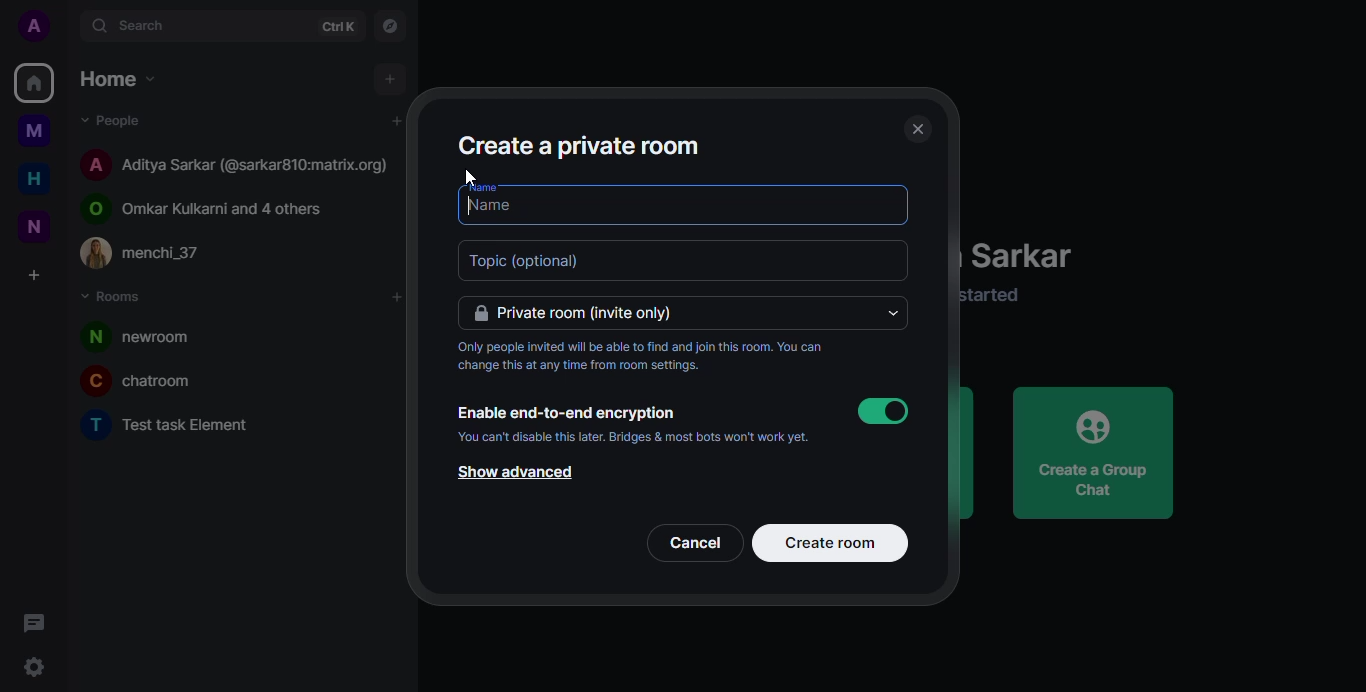 The height and width of the screenshot is (692, 1366). What do you see at coordinates (890, 313) in the screenshot?
I see `drop down` at bounding box center [890, 313].